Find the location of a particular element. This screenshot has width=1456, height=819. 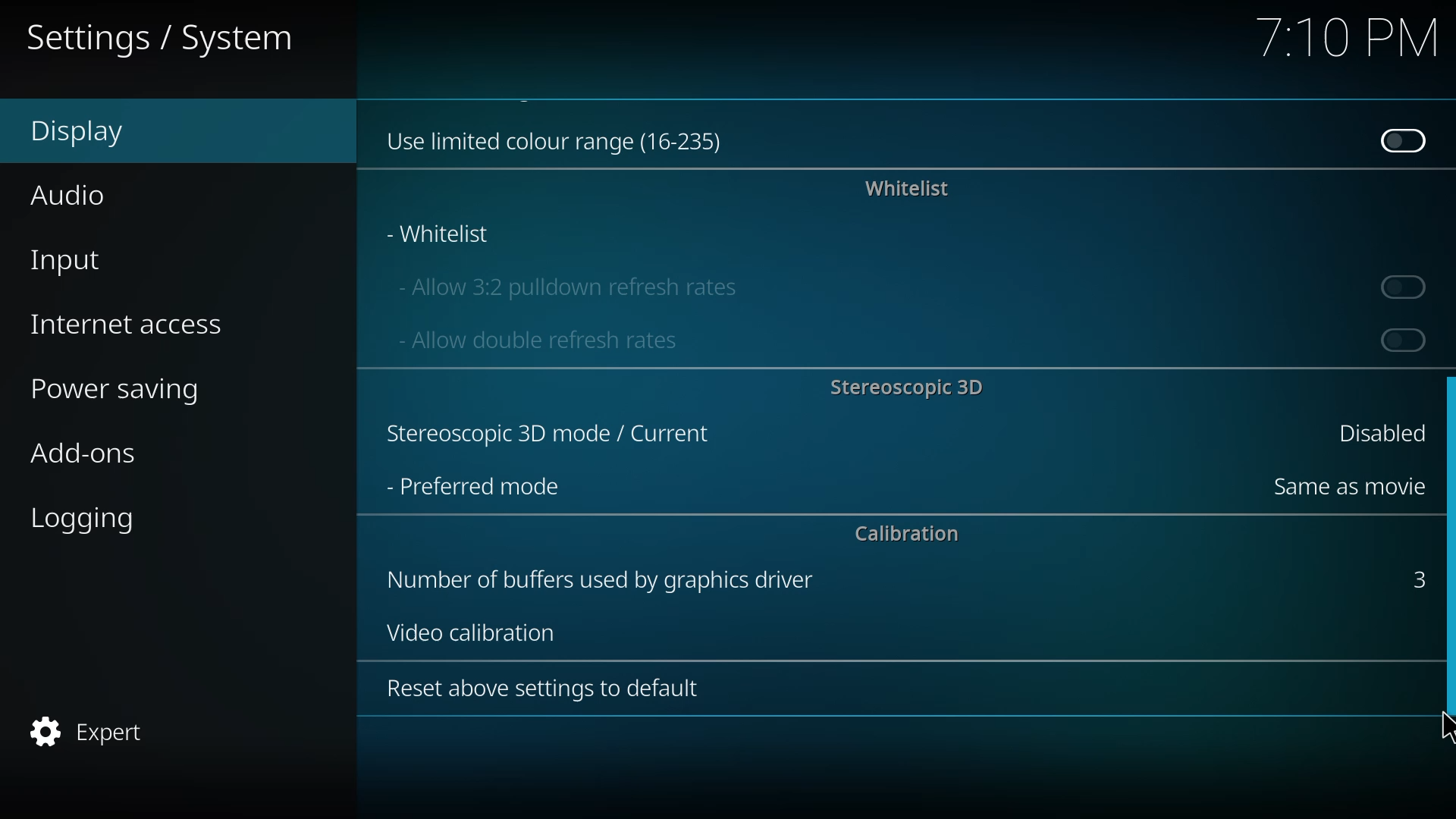

display is located at coordinates (92, 132).